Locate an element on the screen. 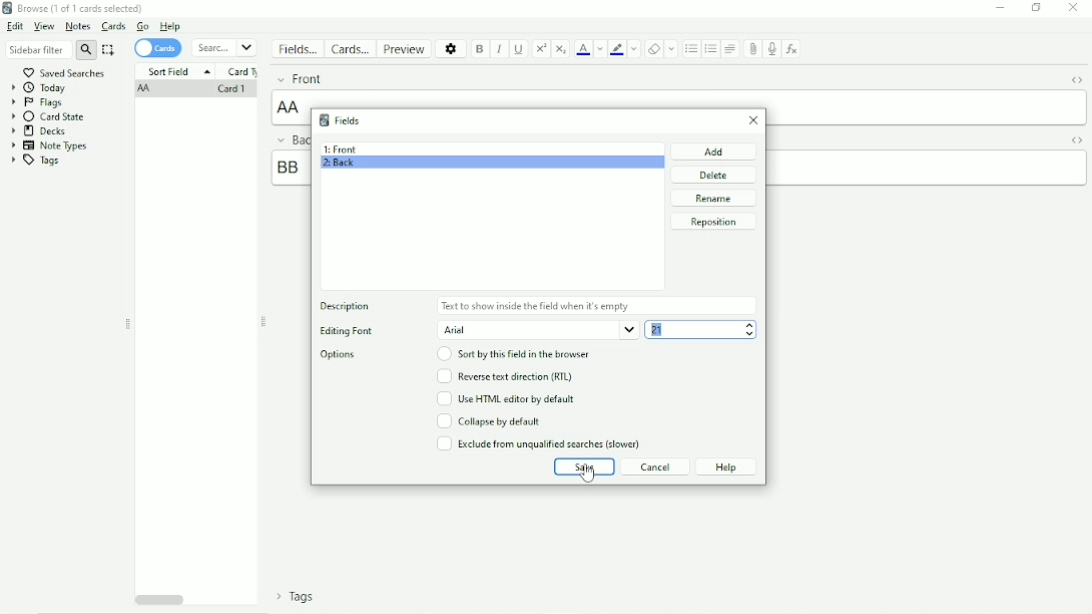 This screenshot has width=1092, height=614. Record audio is located at coordinates (770, 49).